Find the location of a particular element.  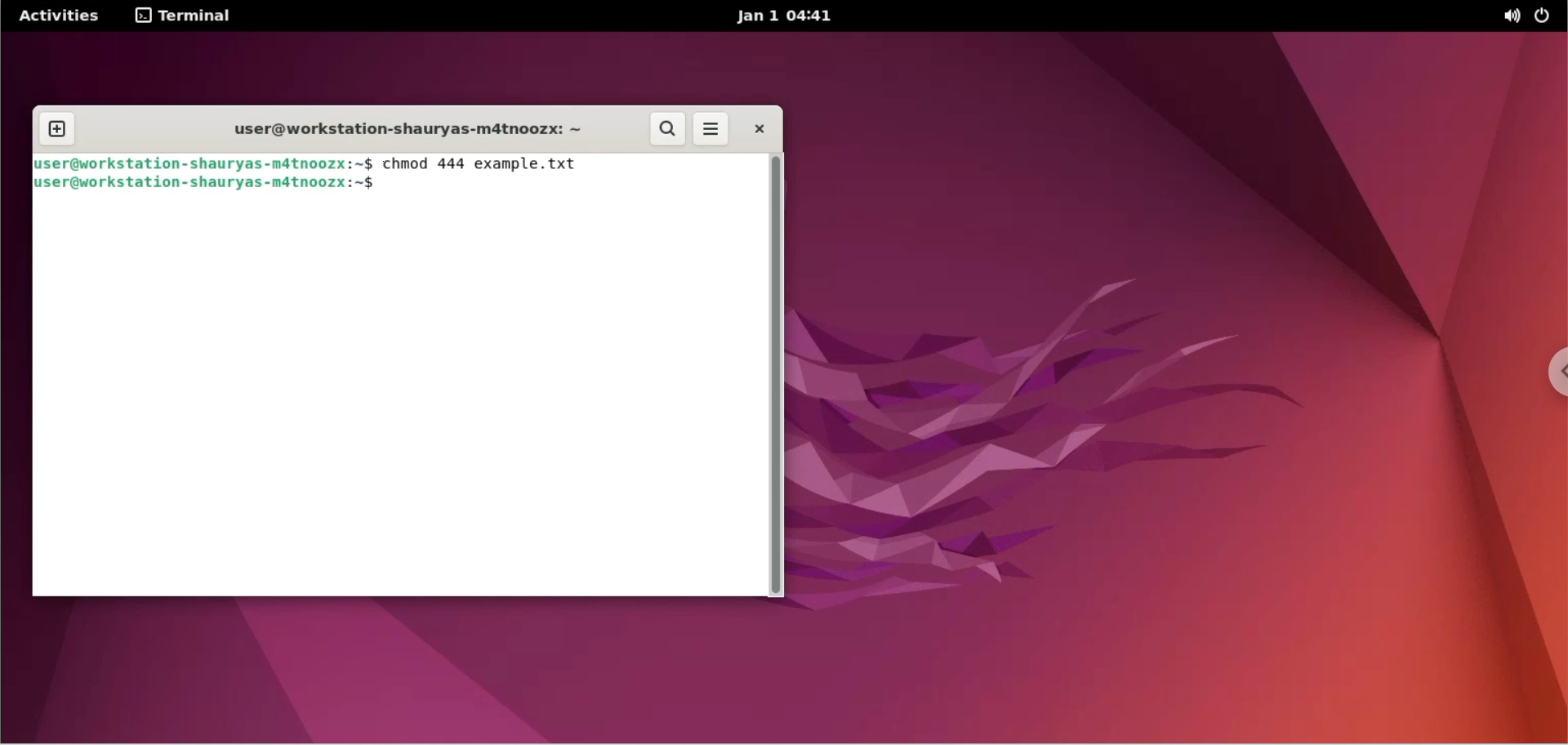

sound options  is located at coordinates (1511, 17).